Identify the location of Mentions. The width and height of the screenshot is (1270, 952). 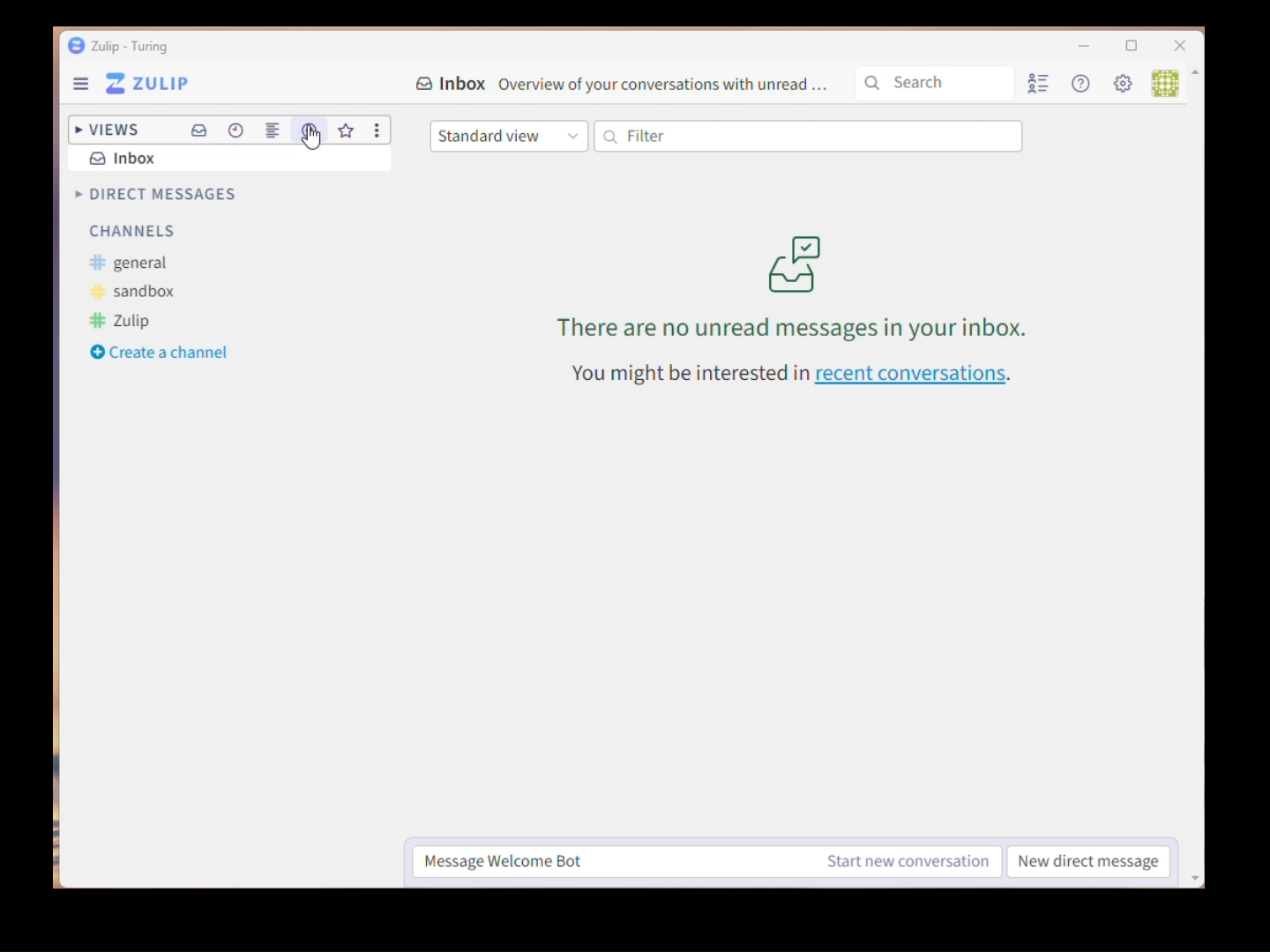
(308, 130).